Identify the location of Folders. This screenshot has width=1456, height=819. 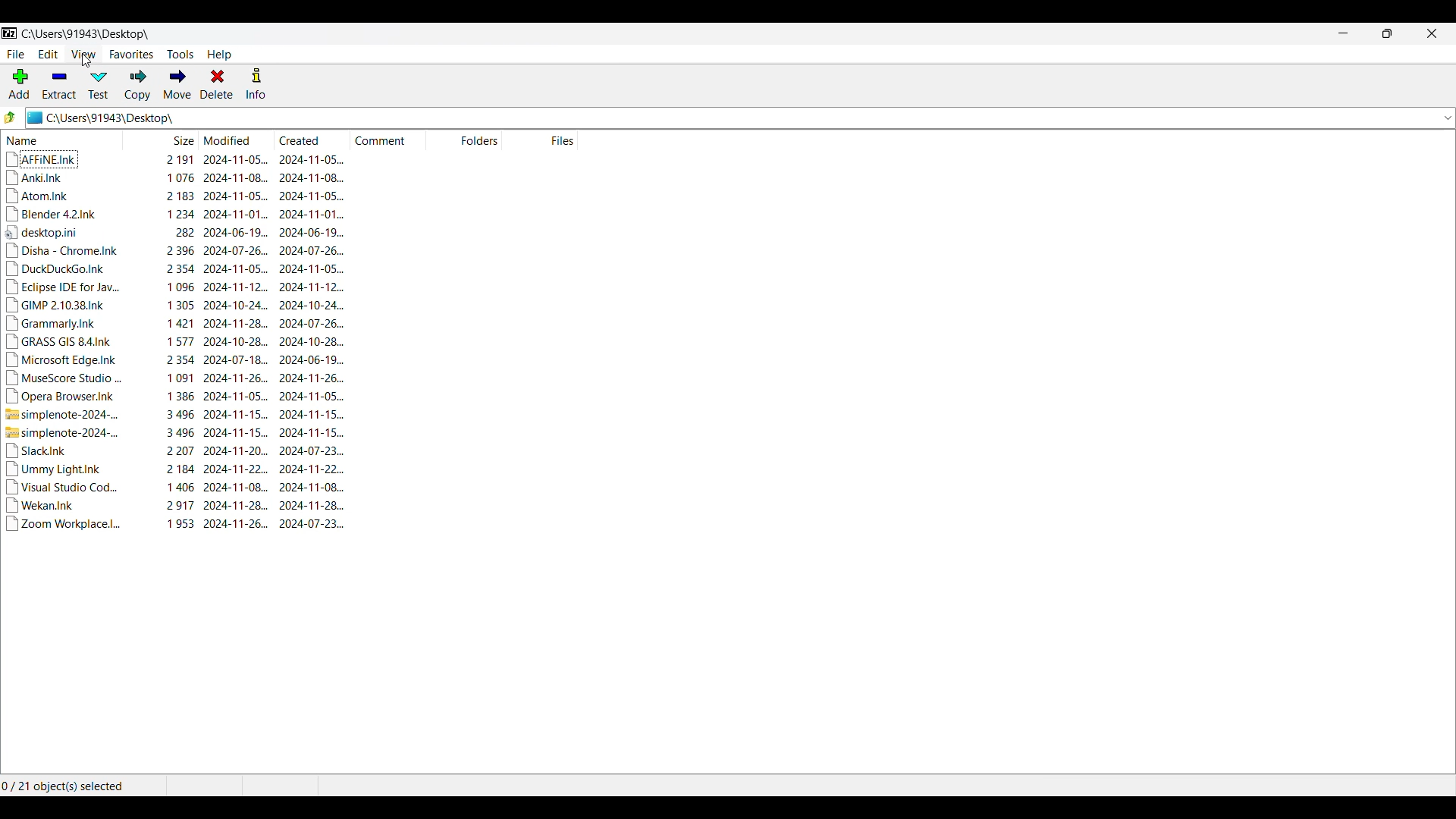
(466, 140).